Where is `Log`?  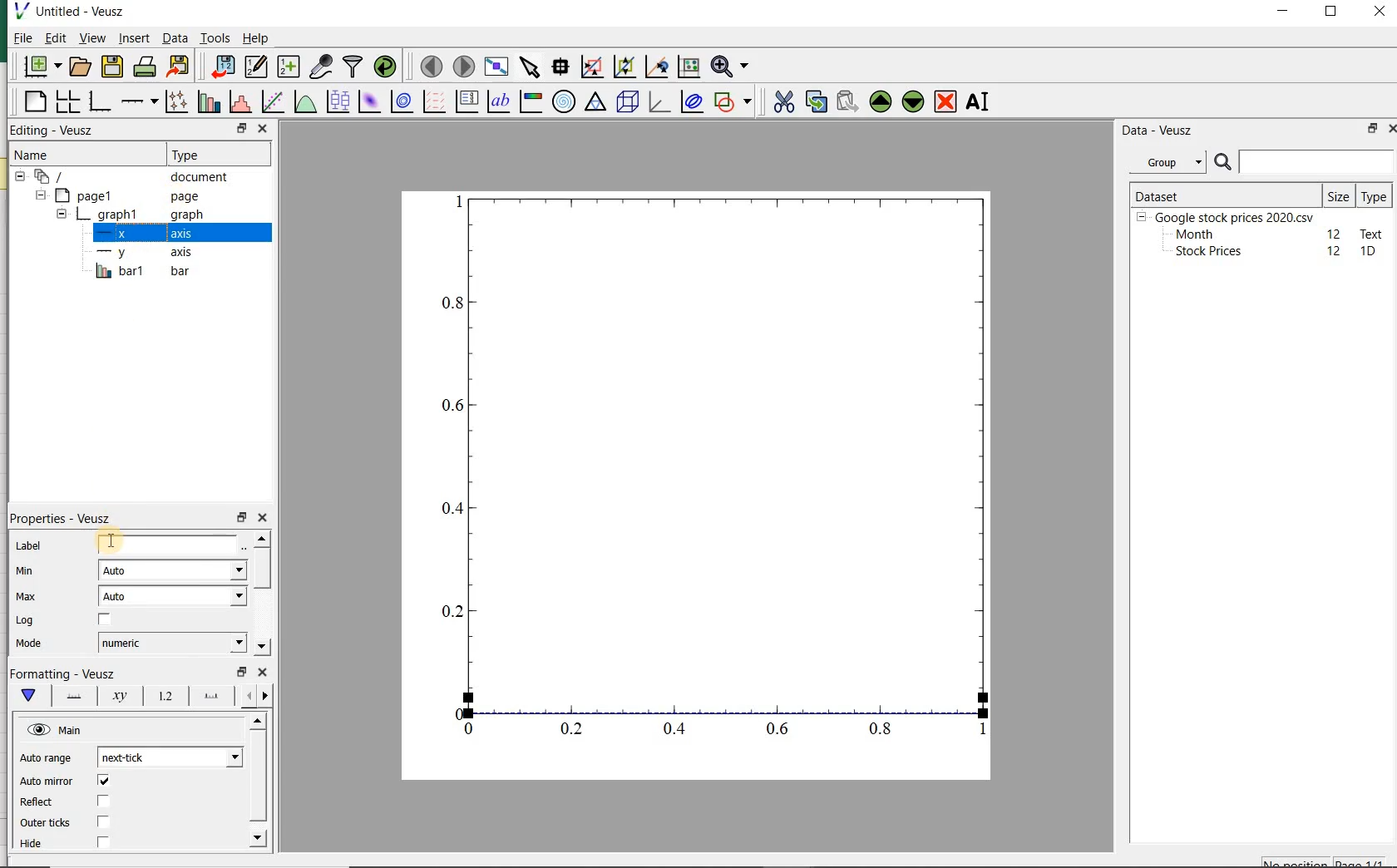 Log is located at coordinates (24, 620).